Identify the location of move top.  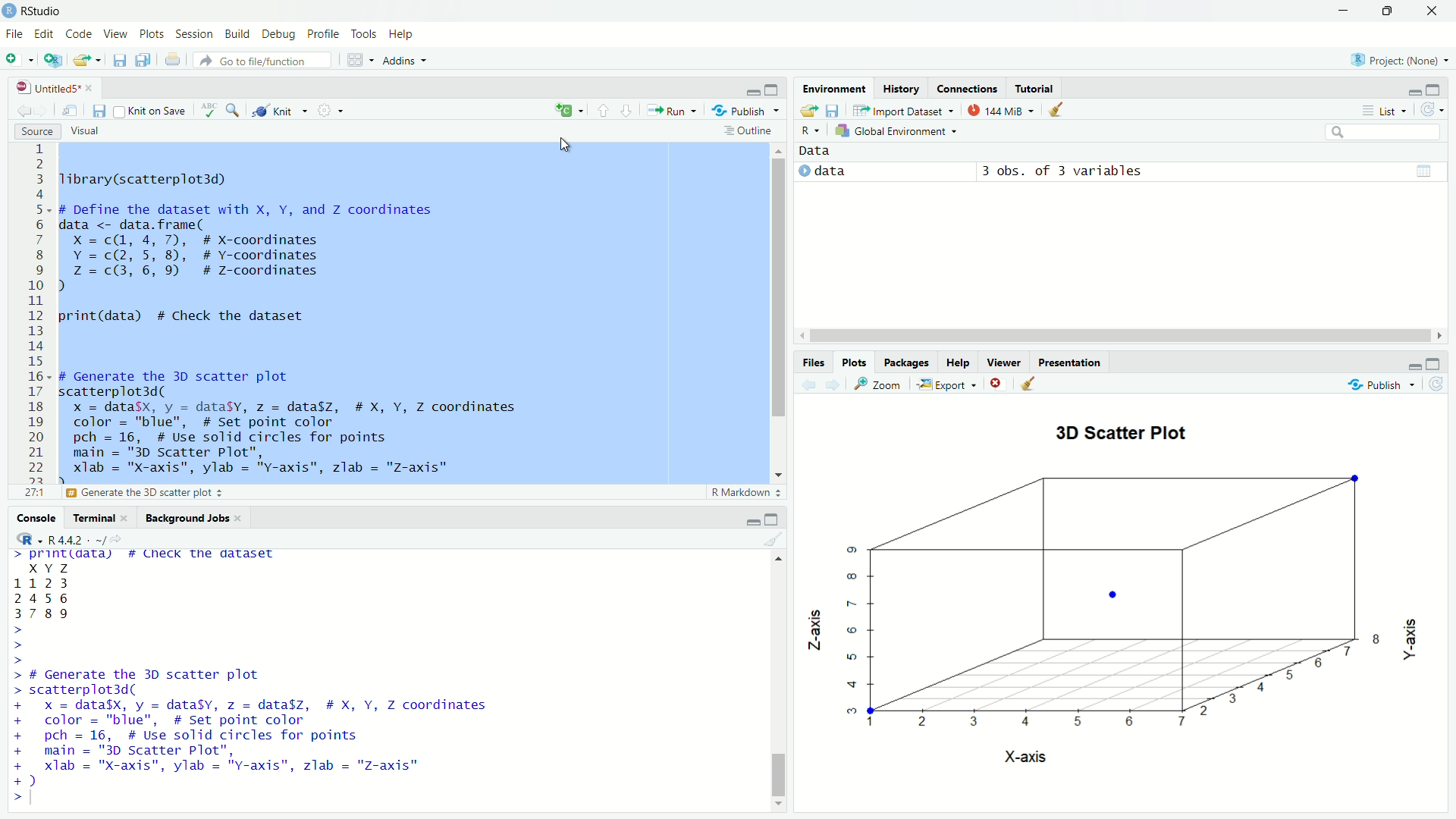
(778, 149).